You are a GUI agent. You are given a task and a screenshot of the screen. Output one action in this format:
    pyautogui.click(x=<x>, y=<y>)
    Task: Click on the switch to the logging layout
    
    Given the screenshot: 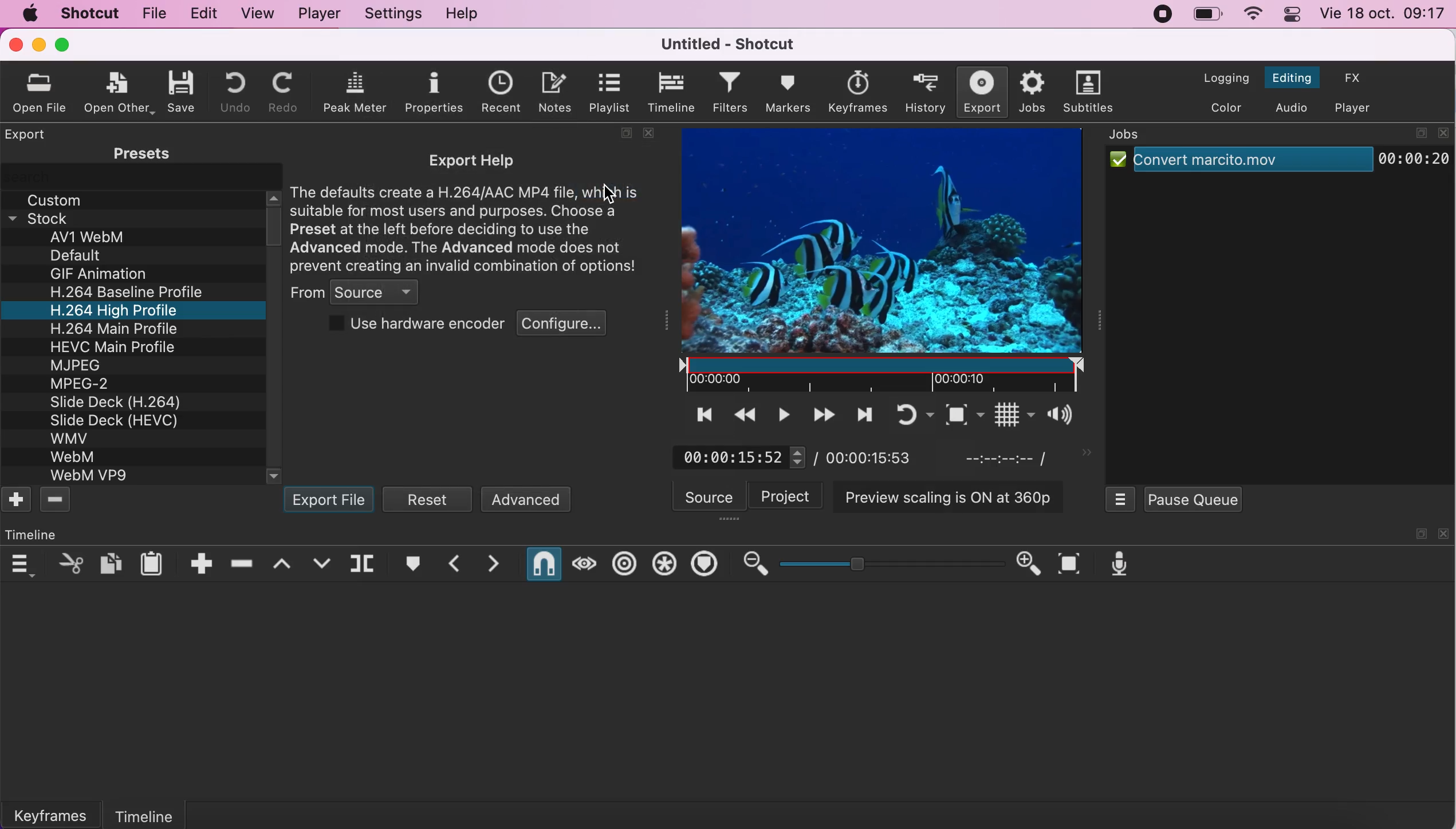 What is the action you would take?
    pyautogui.click(x=1219, y=78)
    